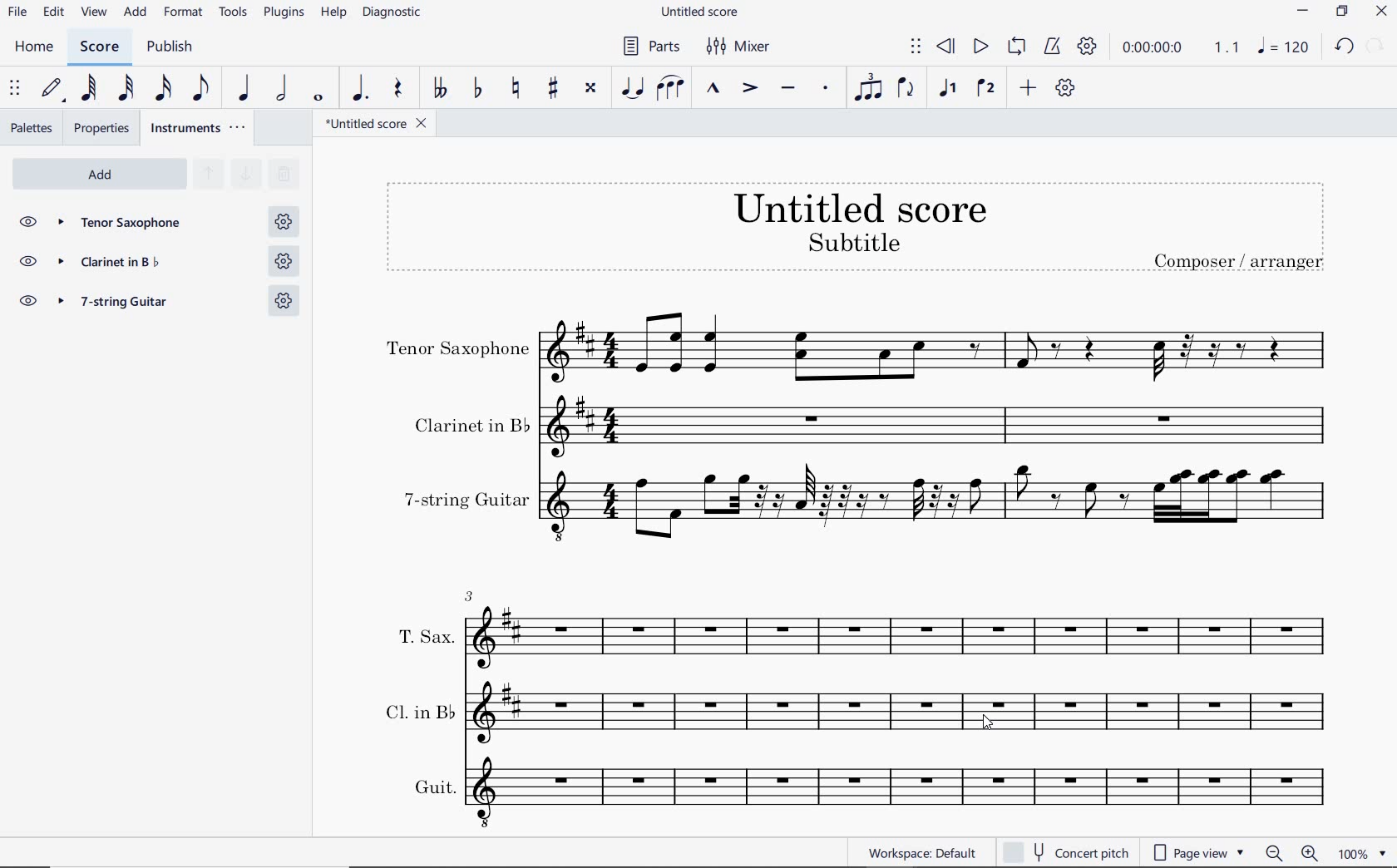  What do you see at coordinates (15, 89) in the screenshot?
I see `SELECET TO MOVE` at bounding box center [15, 89].